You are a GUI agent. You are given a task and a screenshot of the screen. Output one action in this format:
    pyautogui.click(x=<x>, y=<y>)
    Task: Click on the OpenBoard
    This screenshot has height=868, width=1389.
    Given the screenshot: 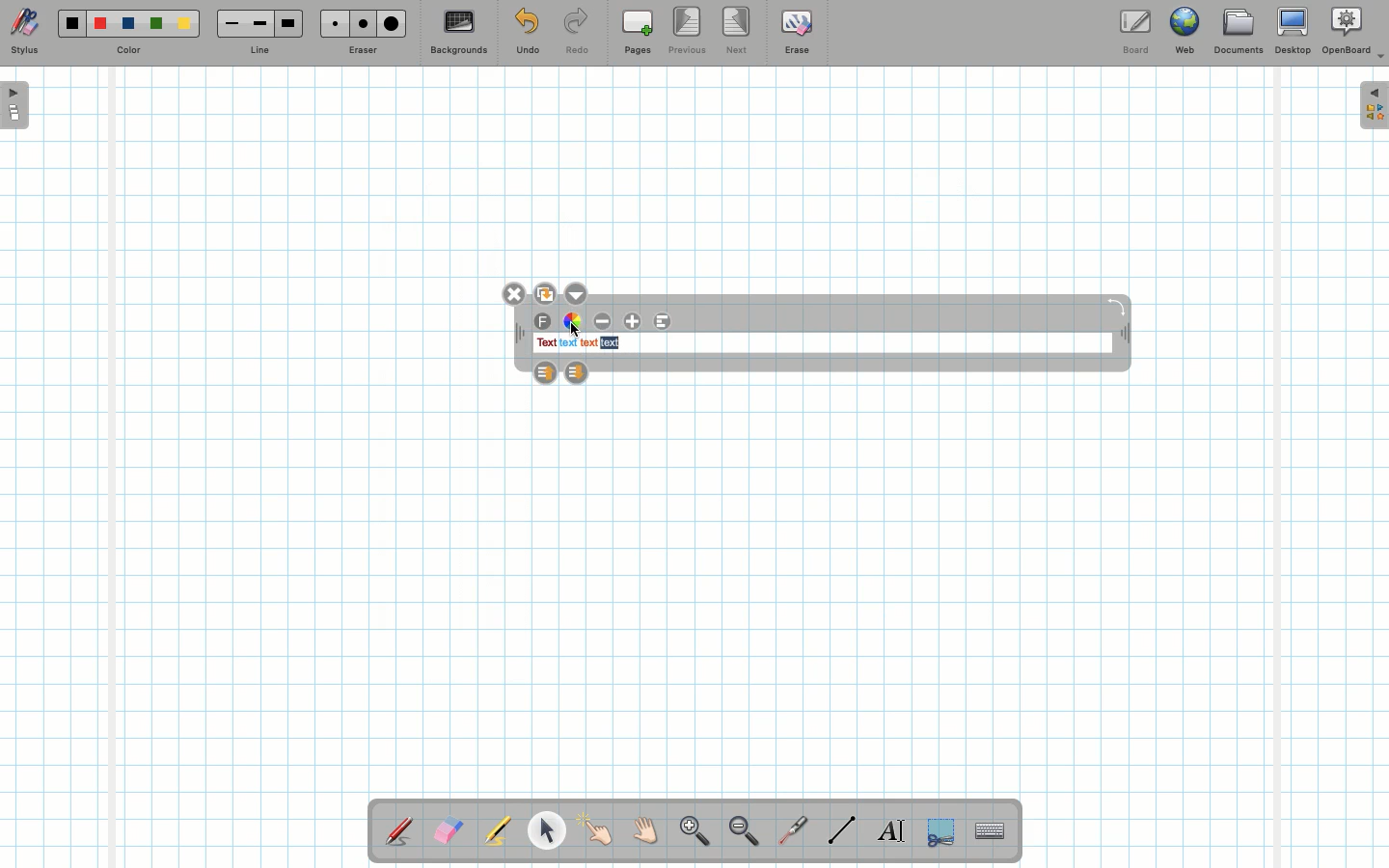 What is the action you would take?
    pyautogui.click(x=1353, y=31)
    